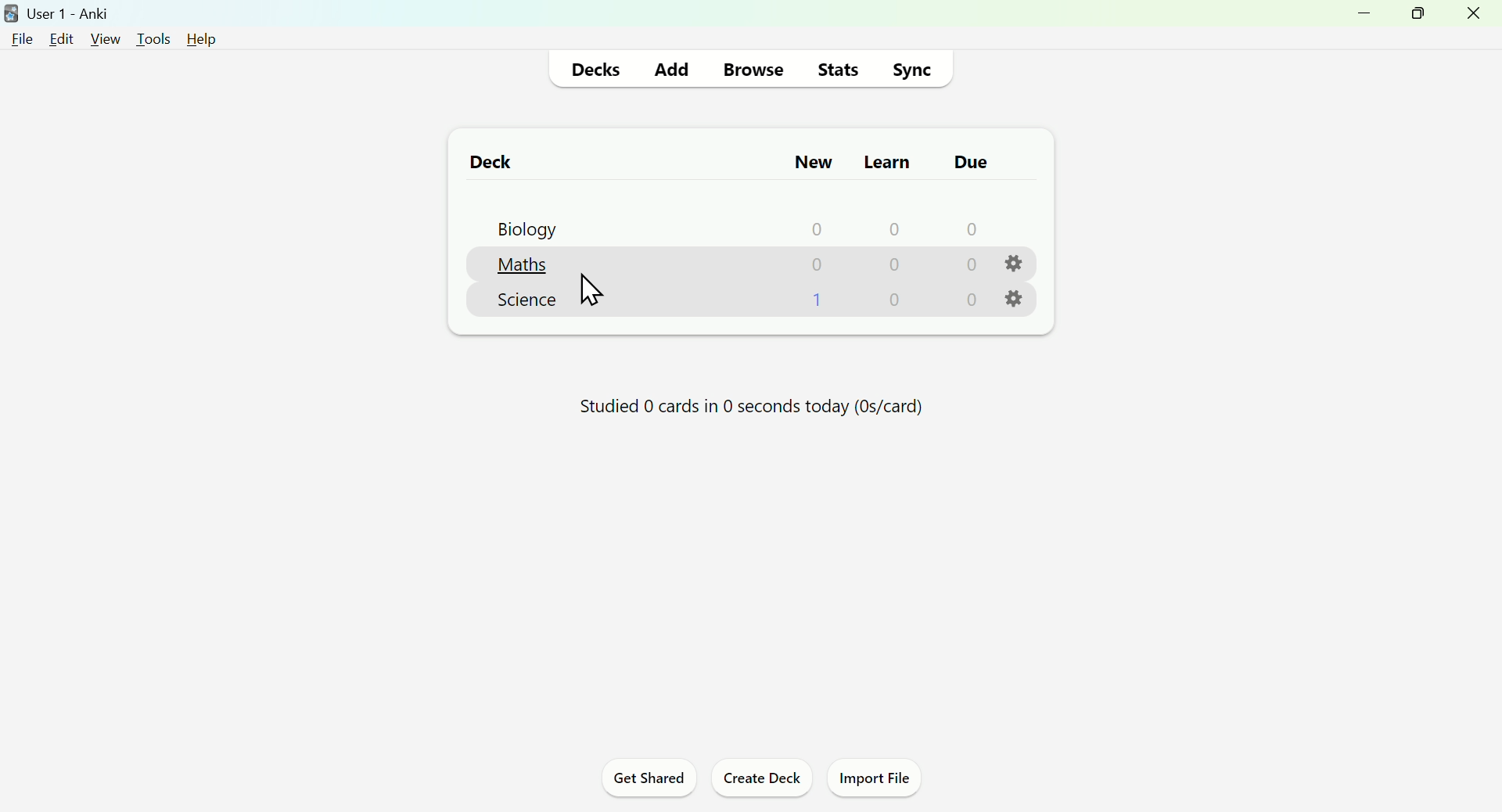  I want to click on , so click(1418, 16).